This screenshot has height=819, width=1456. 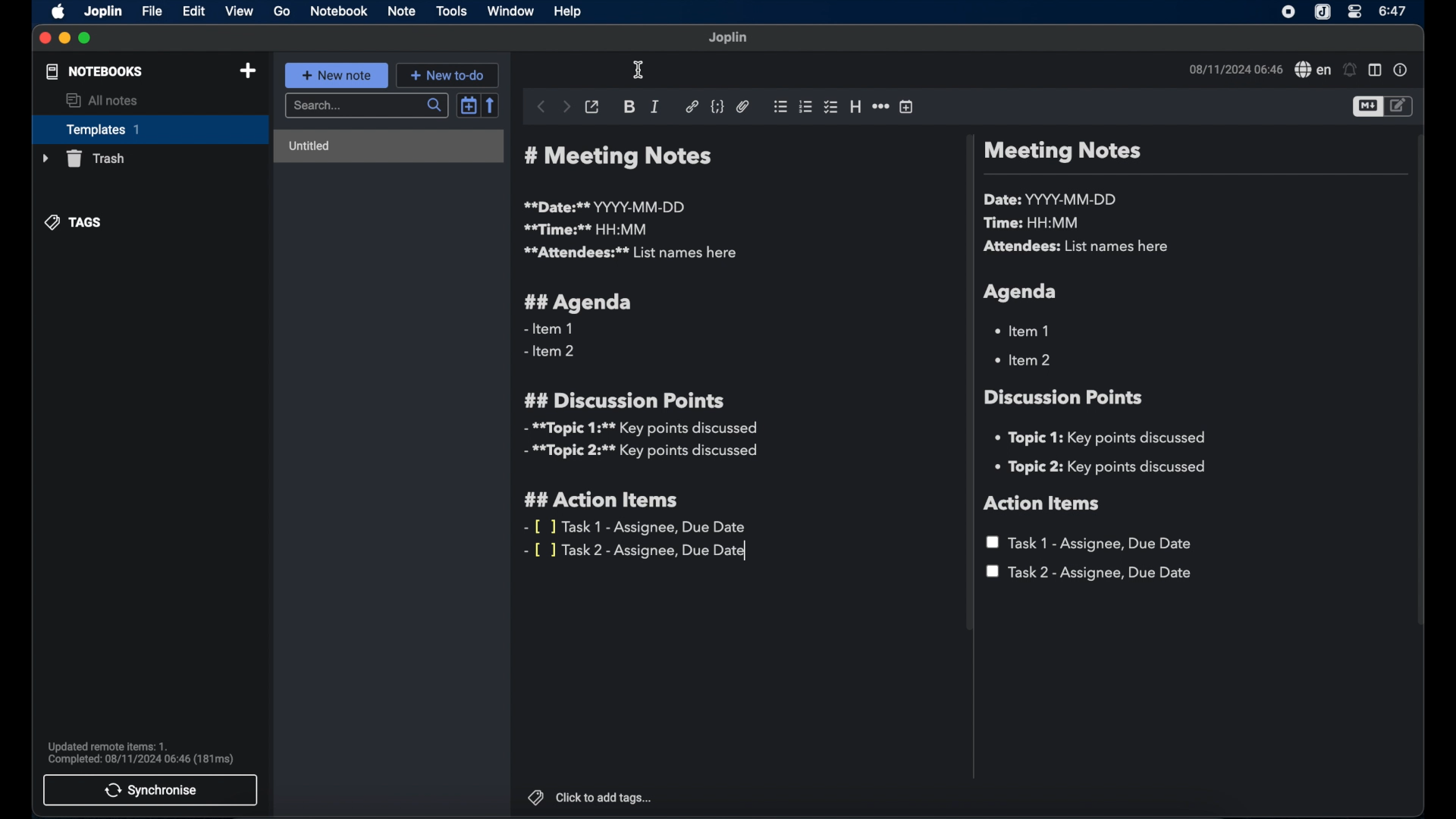 What do you see at coordinates (337, 75) in the screenshot?
I see `new note` at bounding box center [337, 75].